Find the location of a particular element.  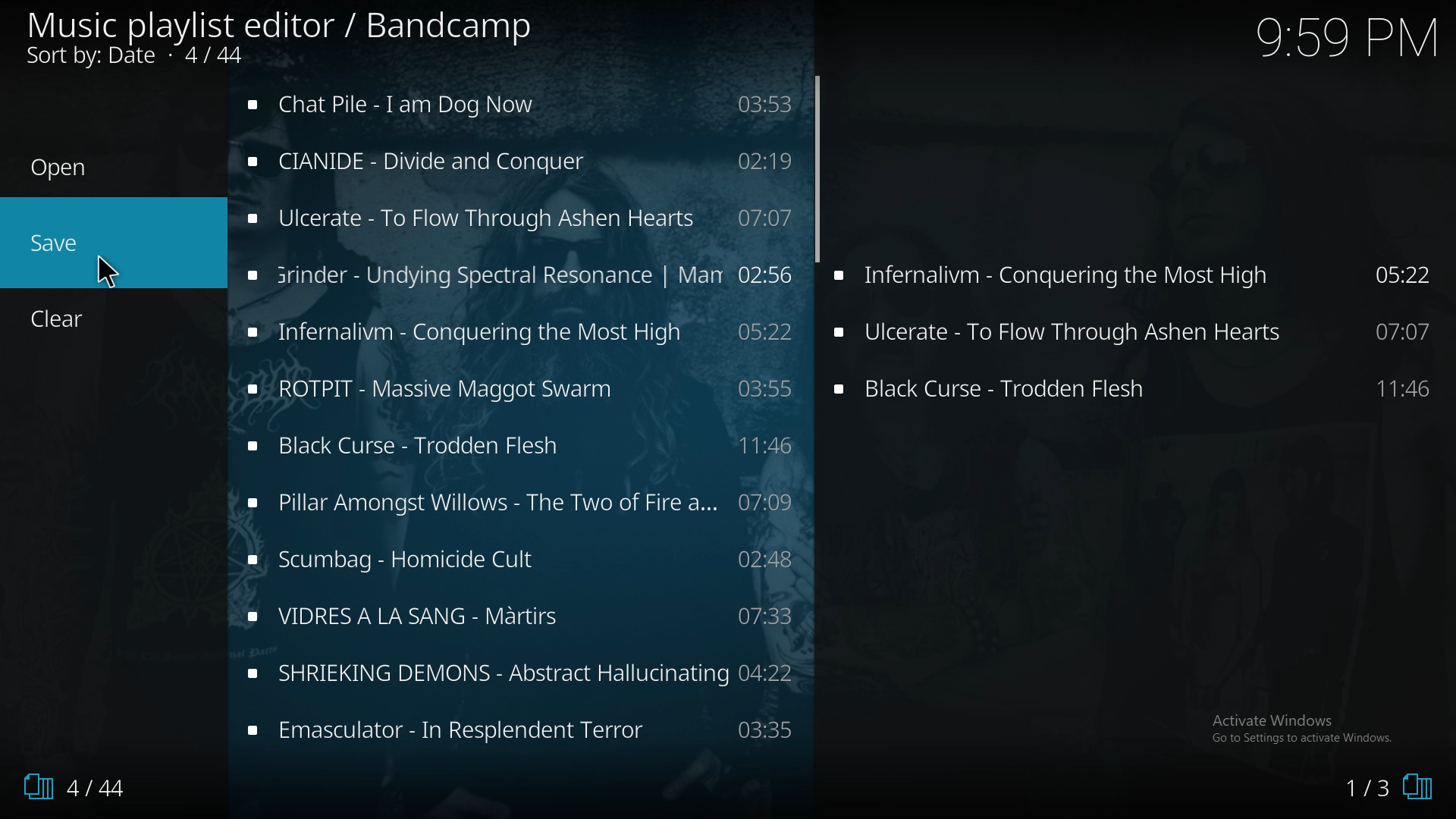

music is located at coordinates (519, 274).